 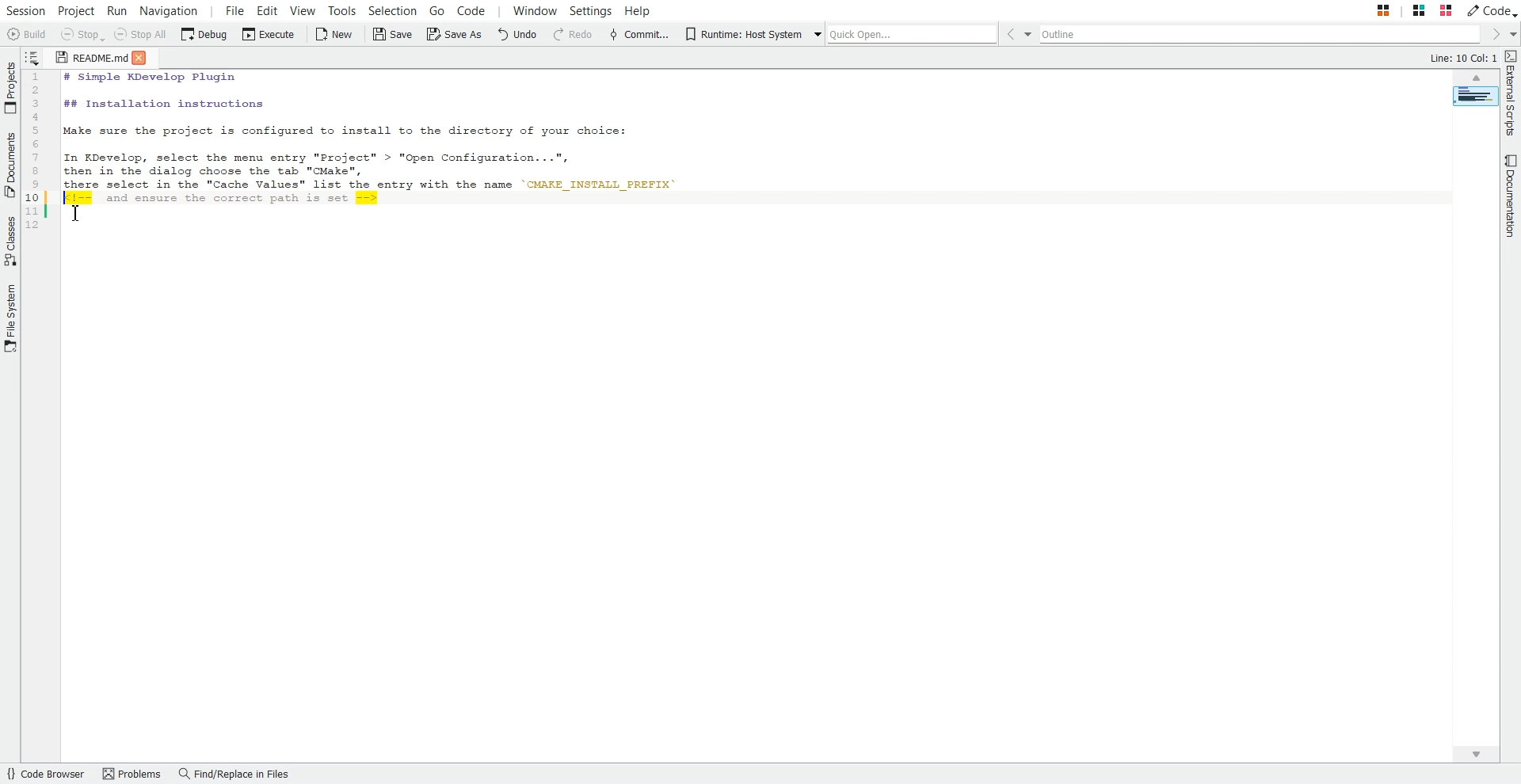 I want to click on there select is the "Cache Values" list the entry with the name 'CMAKE_INSTALL_PREFIX', so click(x=383, y=186).